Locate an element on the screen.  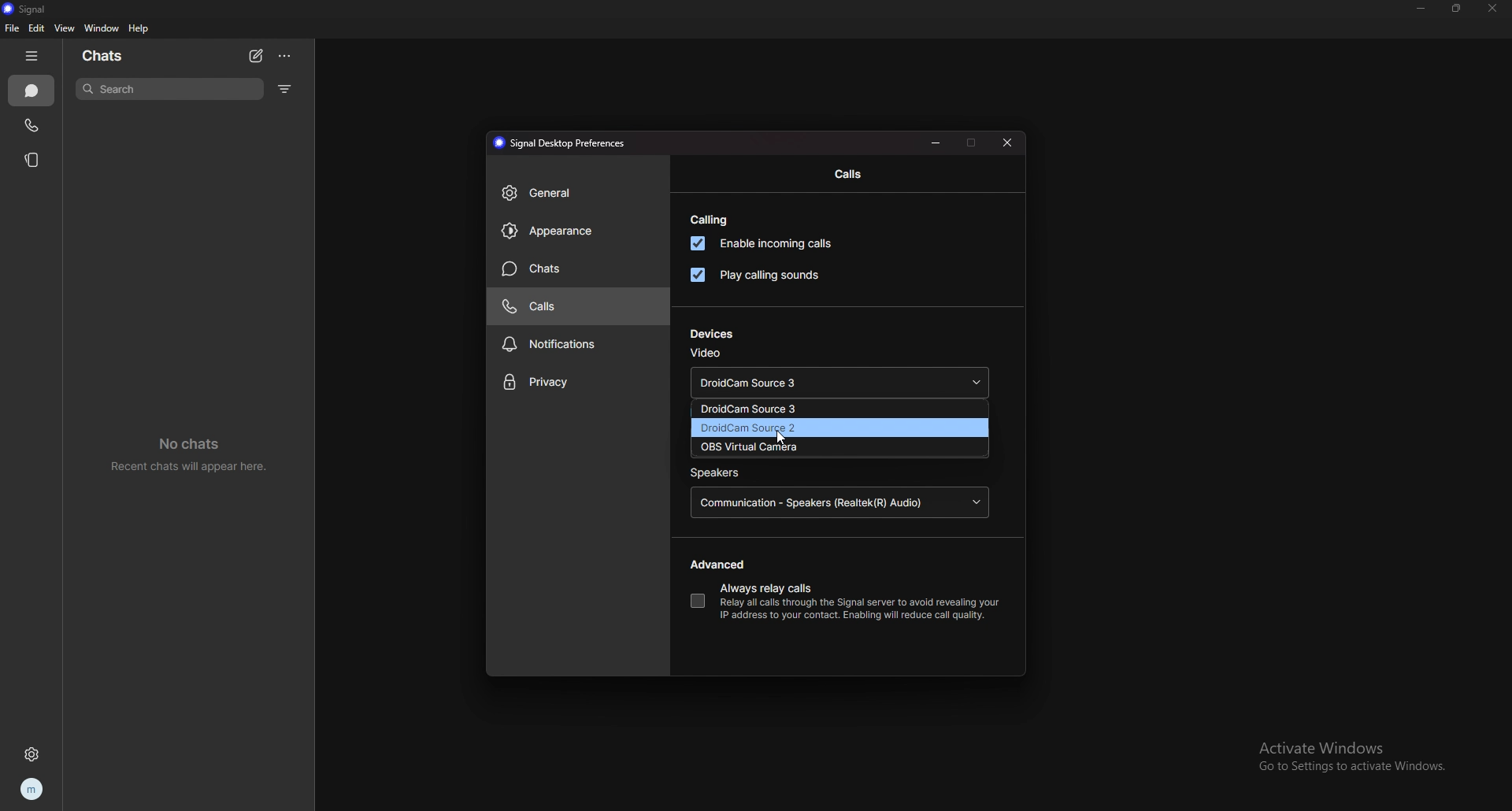
always relay calls is located at coordinates (768, 590).